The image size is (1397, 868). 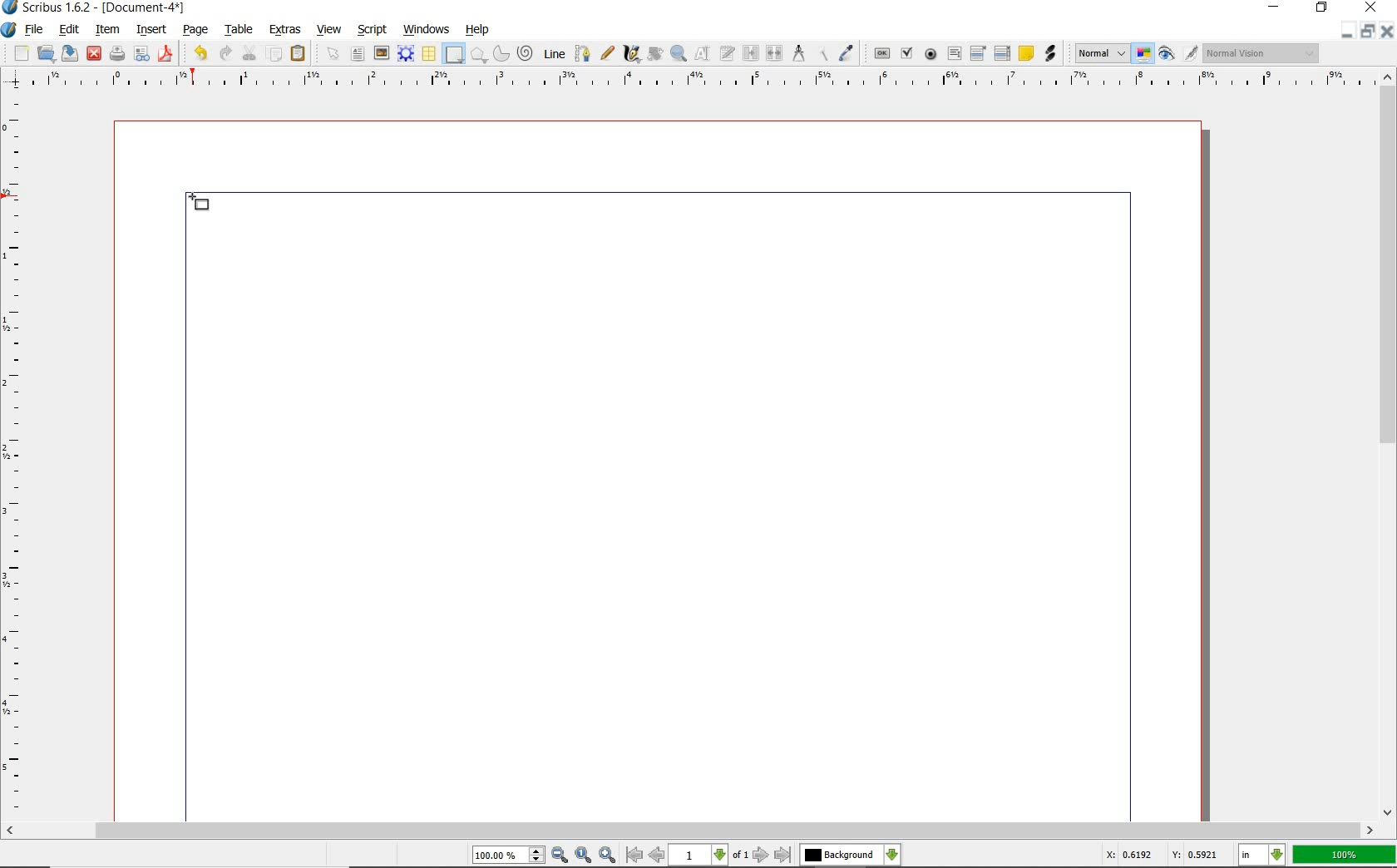 I want to click on help, so click(x=479, y=31).